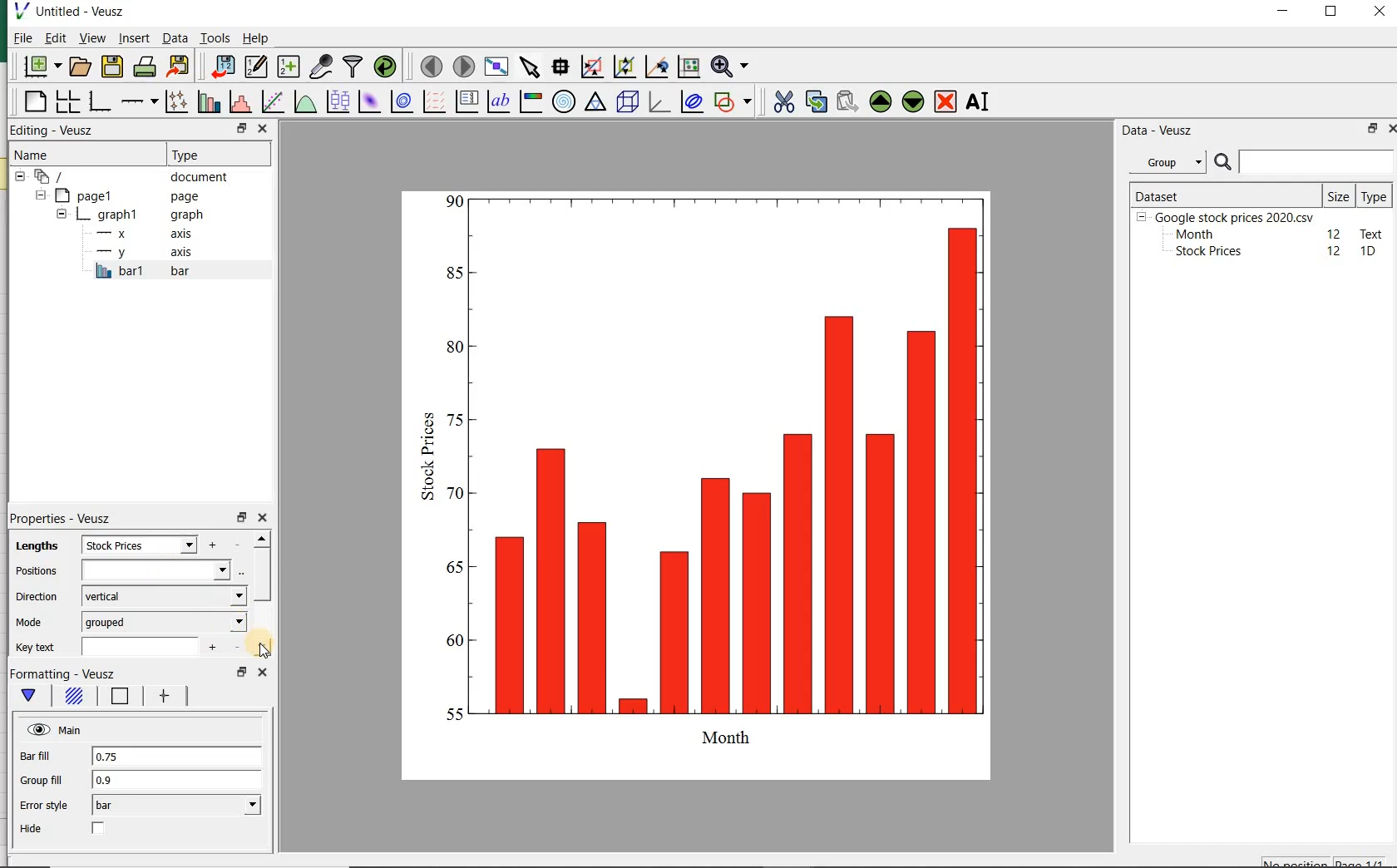  Describe the element at coordinates (240, 518) in the screenshot. I see `restore` at that location.